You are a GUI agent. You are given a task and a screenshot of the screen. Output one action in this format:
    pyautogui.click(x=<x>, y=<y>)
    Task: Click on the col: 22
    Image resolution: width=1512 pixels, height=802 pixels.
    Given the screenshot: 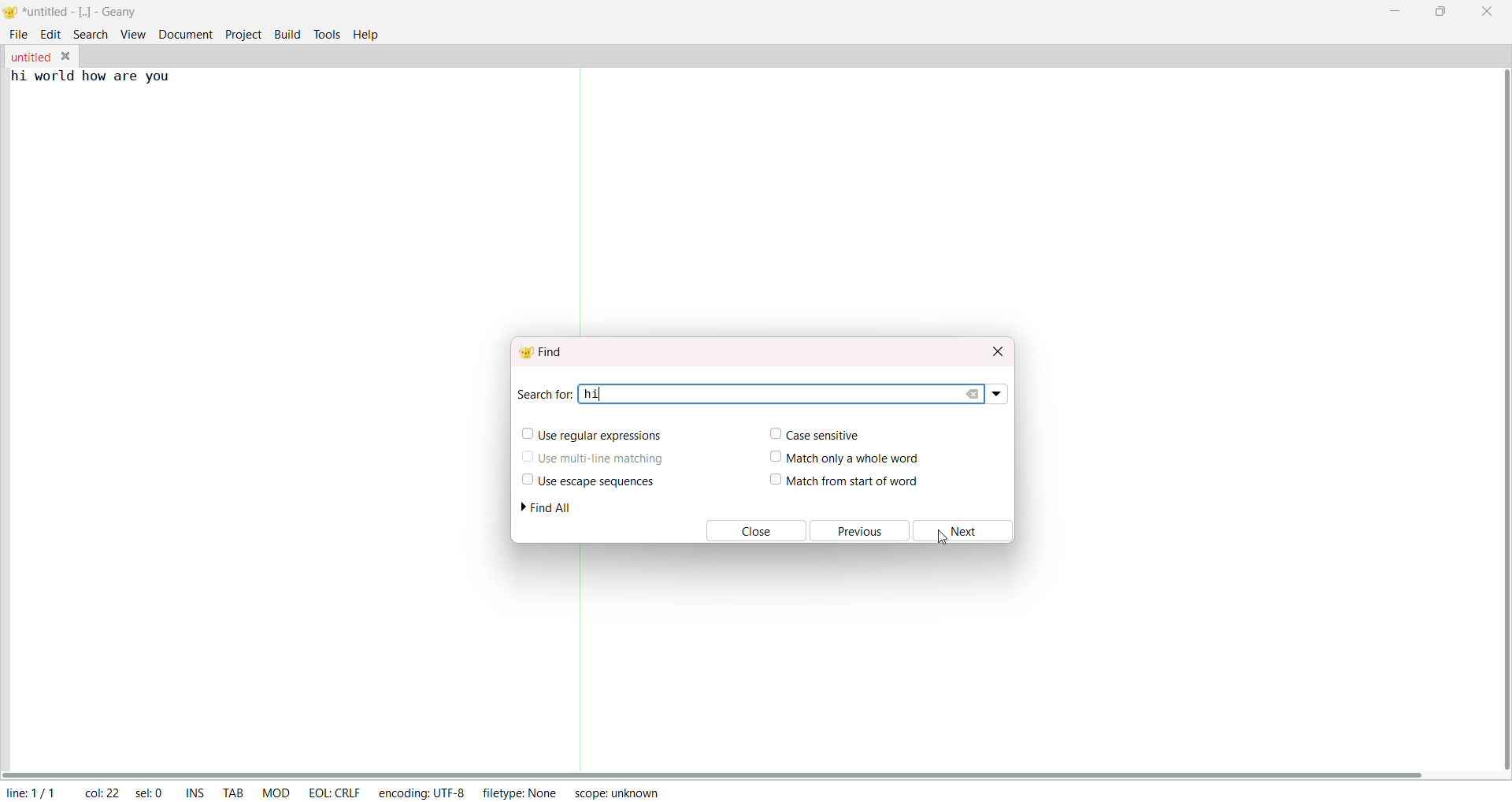 What is the action you would take?
    pyautogui.click(x=102, y=792)
    